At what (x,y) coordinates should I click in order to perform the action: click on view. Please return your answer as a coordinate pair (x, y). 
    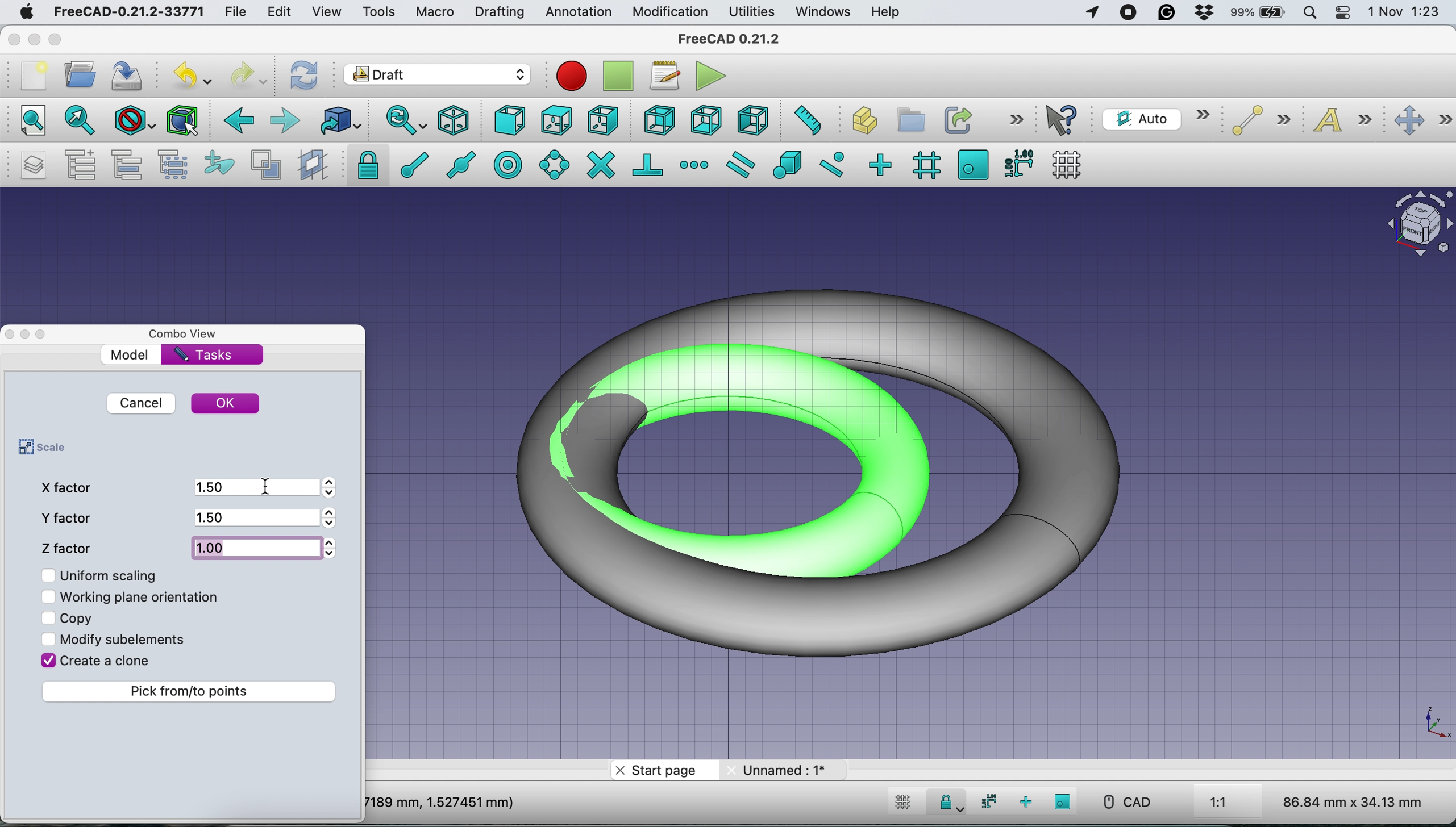
    Looking at the image, I should click on (326, 13).